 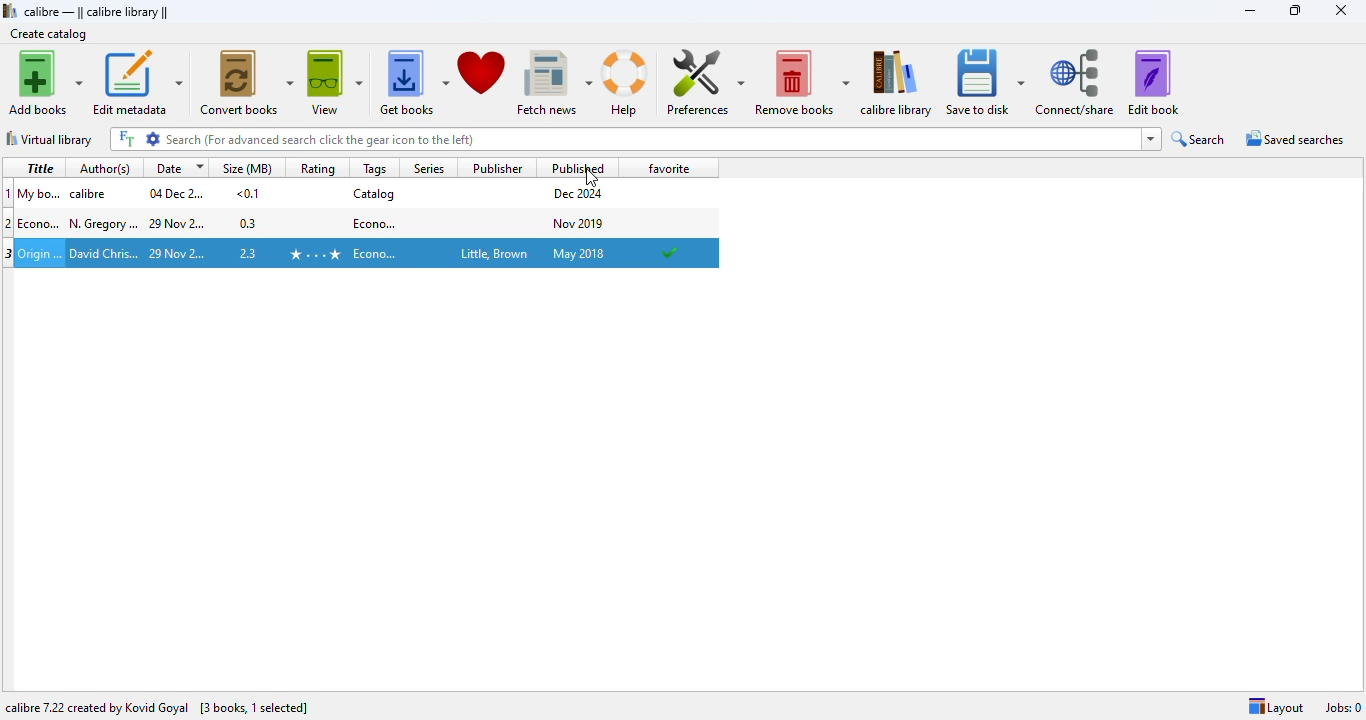 What do you see at coordinates (1294, 138) in the screenshot?
I see `saved searches` at bounding box center [1294, 138].